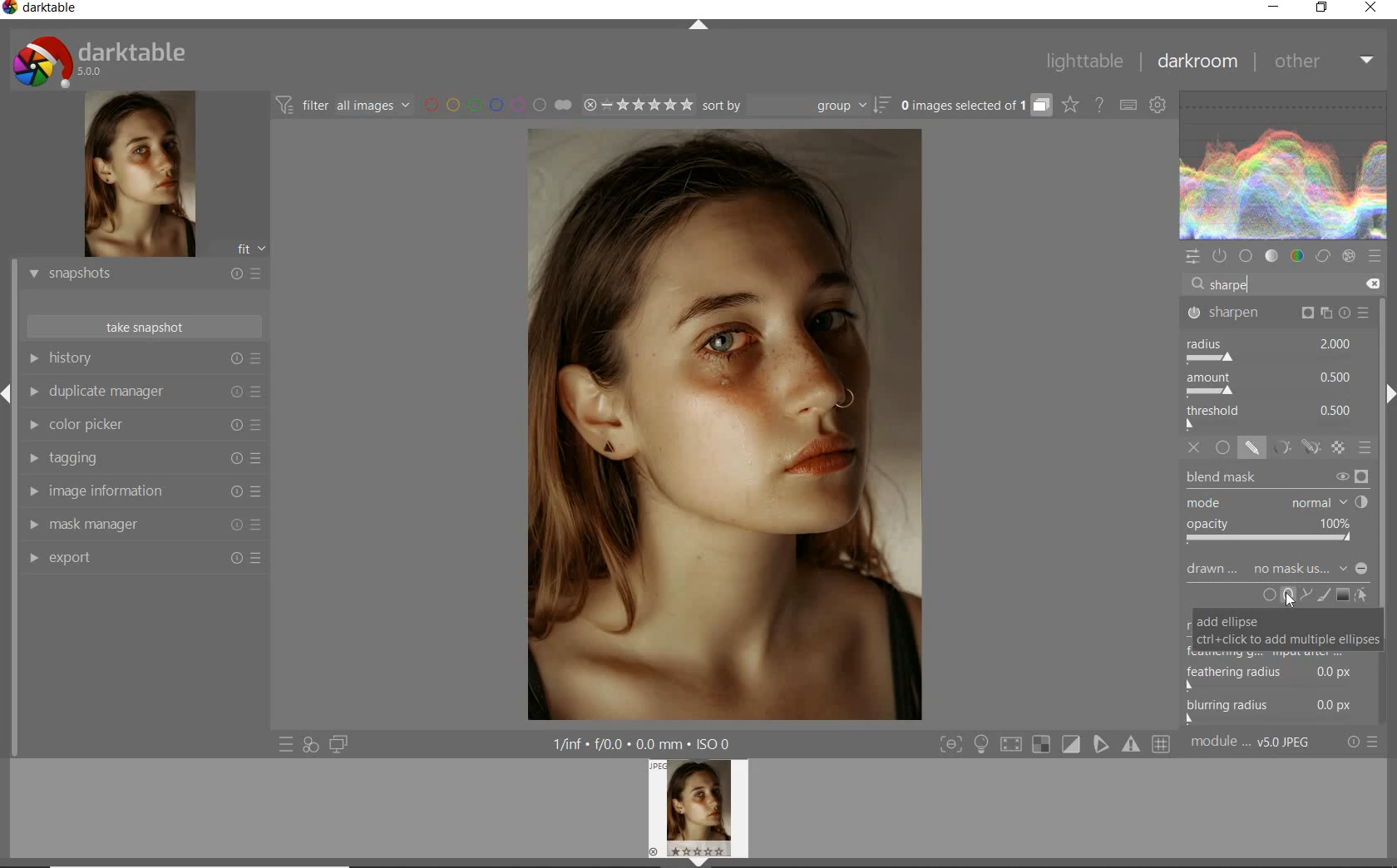  What do you see at coordinates (1275, 569) in the screenshot?
I see `DRAWN MASK` at bounding box center [1275, 569].